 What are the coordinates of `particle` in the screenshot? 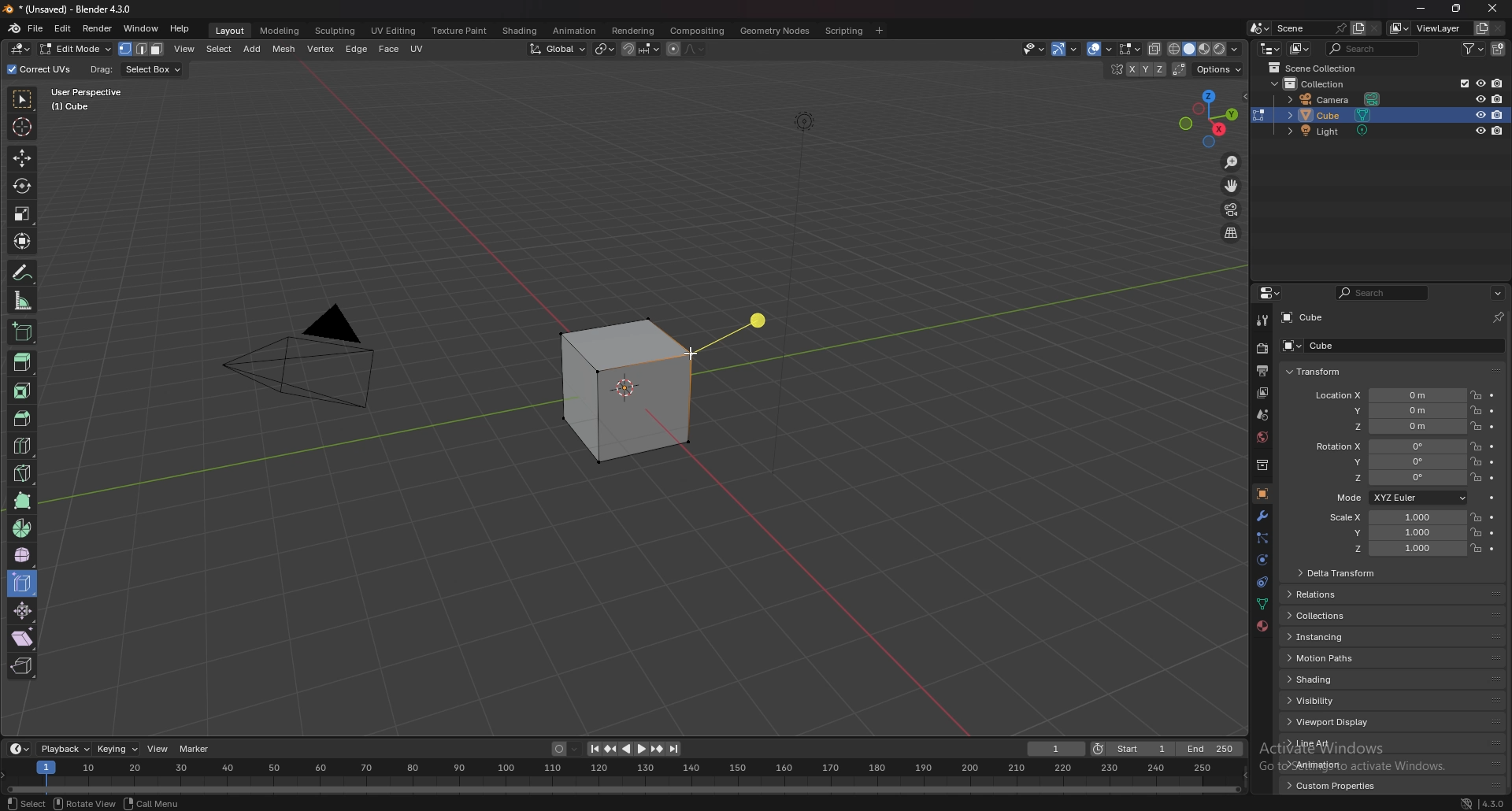 It's located at (1262, 539).